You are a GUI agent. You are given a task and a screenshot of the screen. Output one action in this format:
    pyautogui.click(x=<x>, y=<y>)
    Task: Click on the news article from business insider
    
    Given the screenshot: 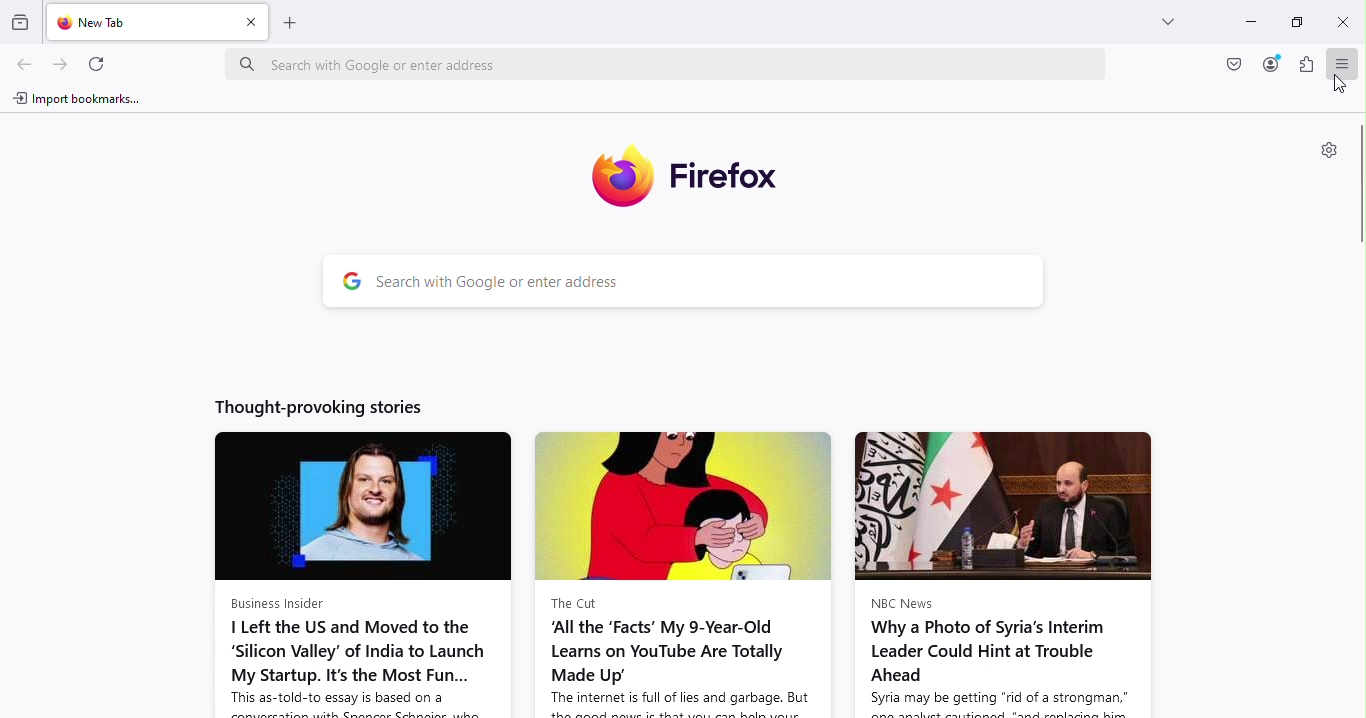 What is the action you would take?
    pyautogui.click(x=362, y=574)
    